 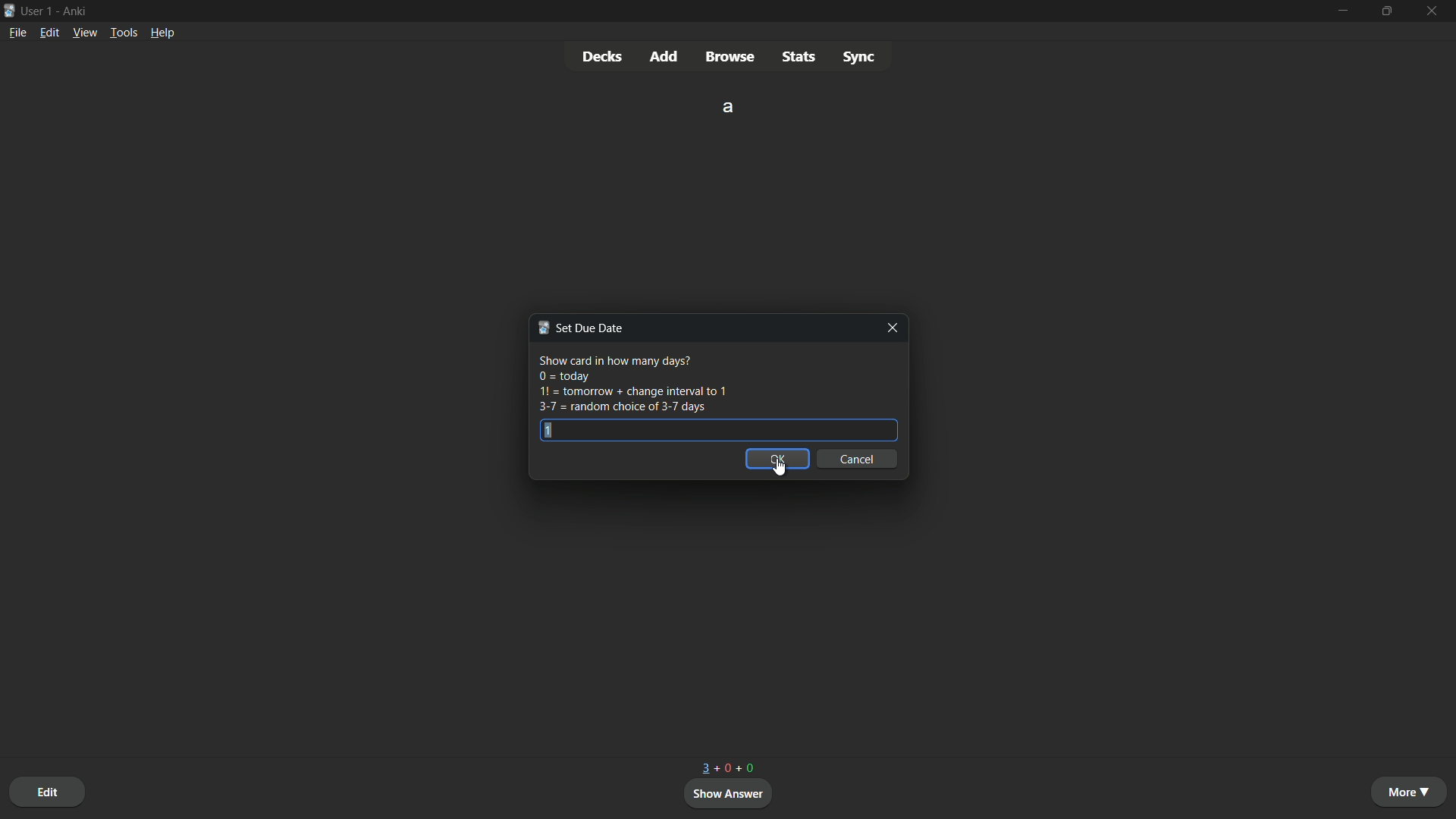 What do you see at coordinates (858, 459) in the screenshot?
I see `cancel` at bounding box center [858, 459].